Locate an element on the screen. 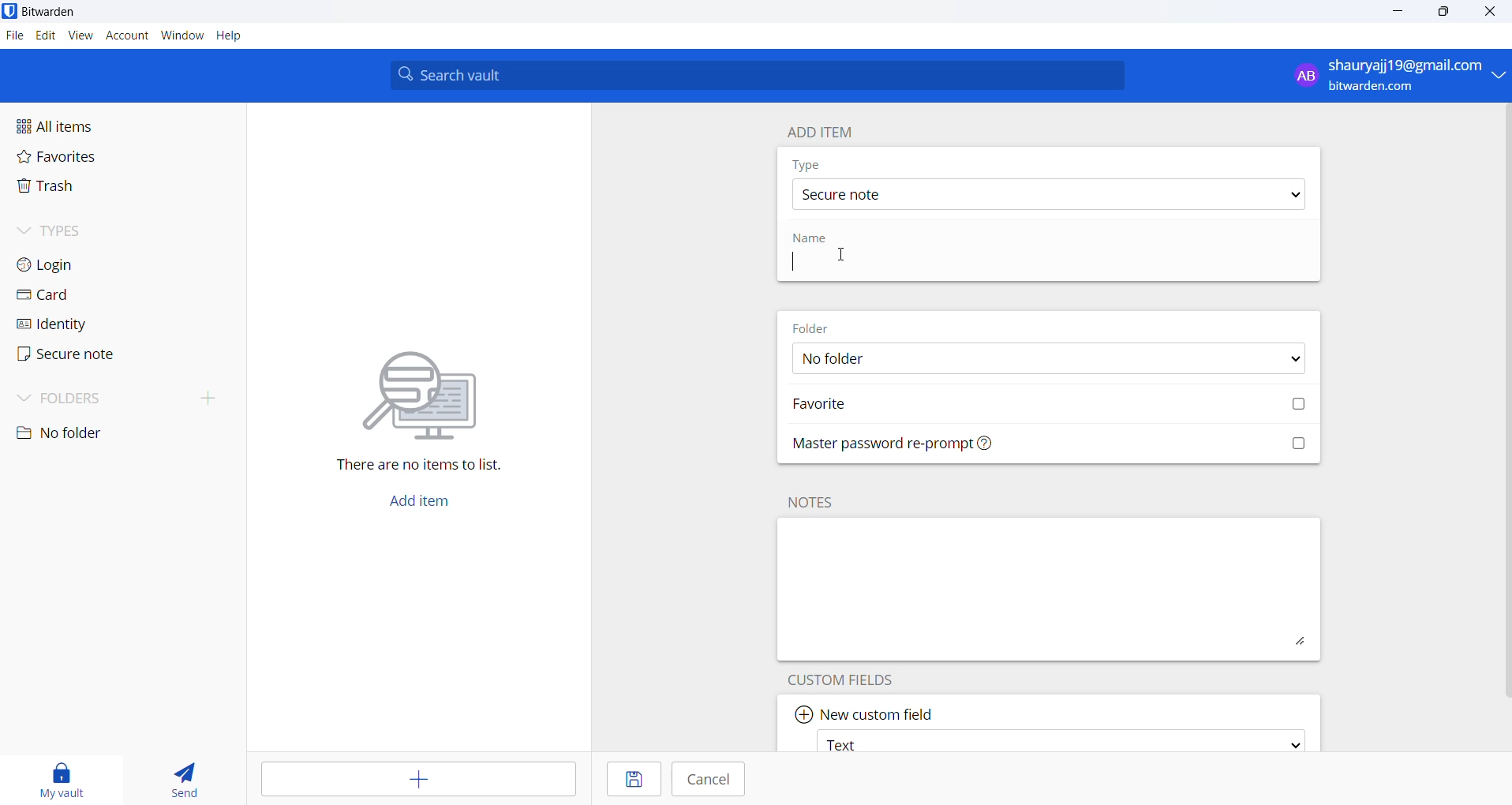 The image size is (1512, 805). types is located at coordinates (75, 230).